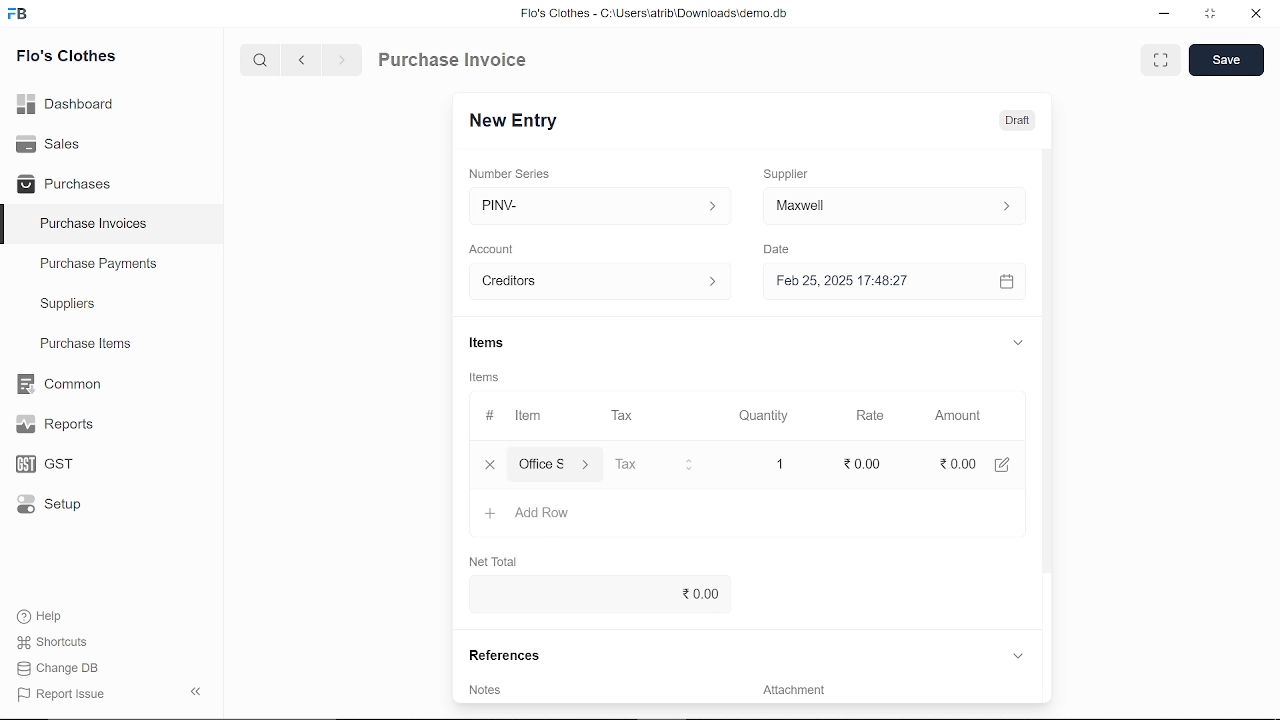 Image resolution: width=1280 pixels, height=720 pixels. Describe the element at coordinates (66, 102) in the screenshot. I see `Dashboard` at that location.